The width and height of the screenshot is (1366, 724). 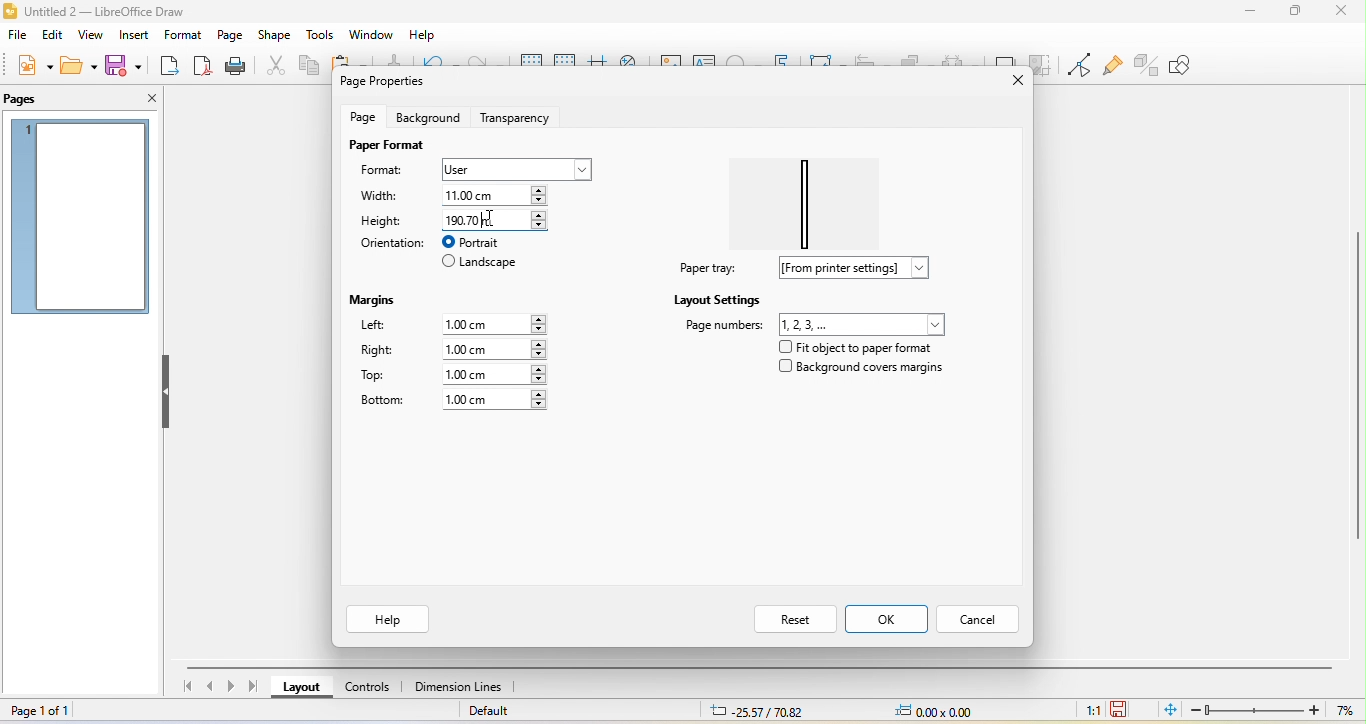 I want to click on close, so click(x=1007, y=81).